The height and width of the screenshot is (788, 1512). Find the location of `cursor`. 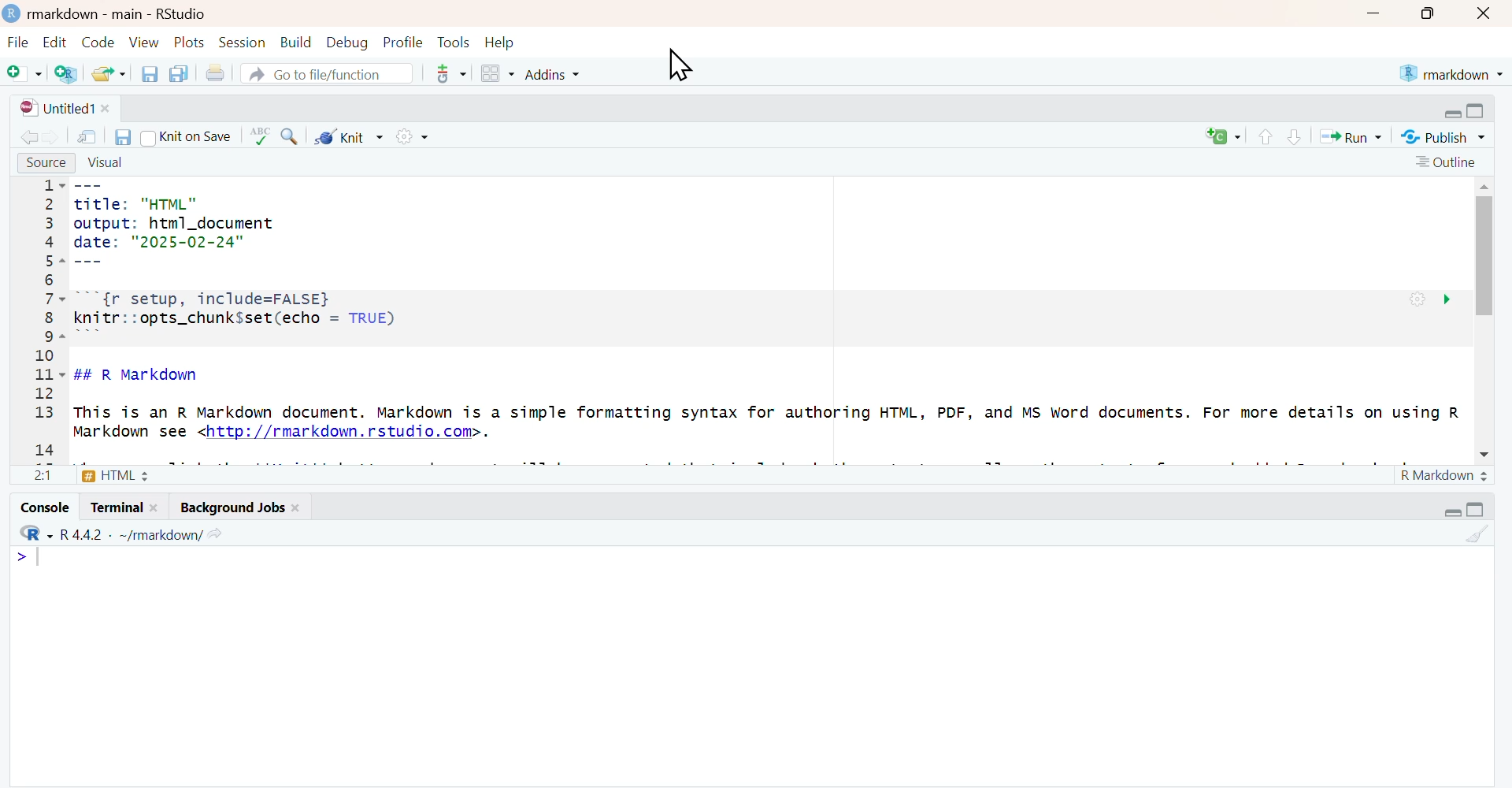

cursor is located at coordinates (680, 66).